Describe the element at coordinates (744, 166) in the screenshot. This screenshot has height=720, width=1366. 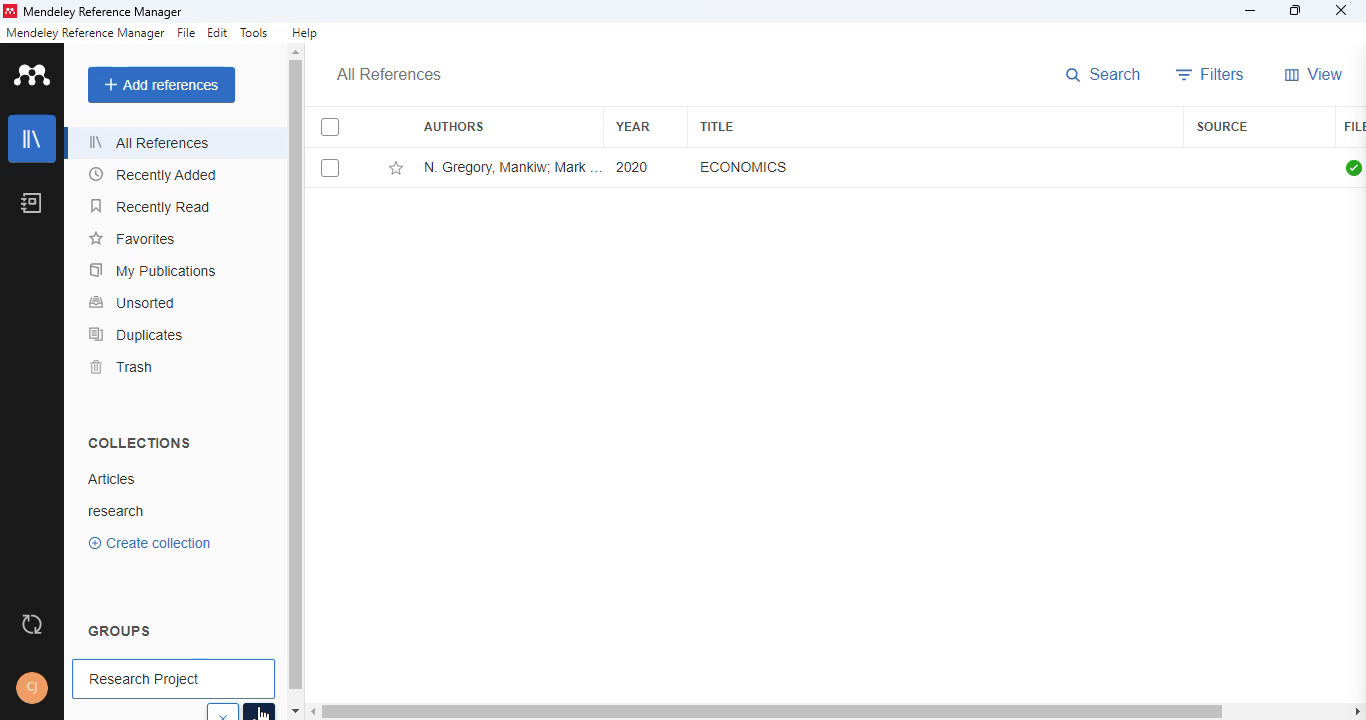
I see `economics` at that location.